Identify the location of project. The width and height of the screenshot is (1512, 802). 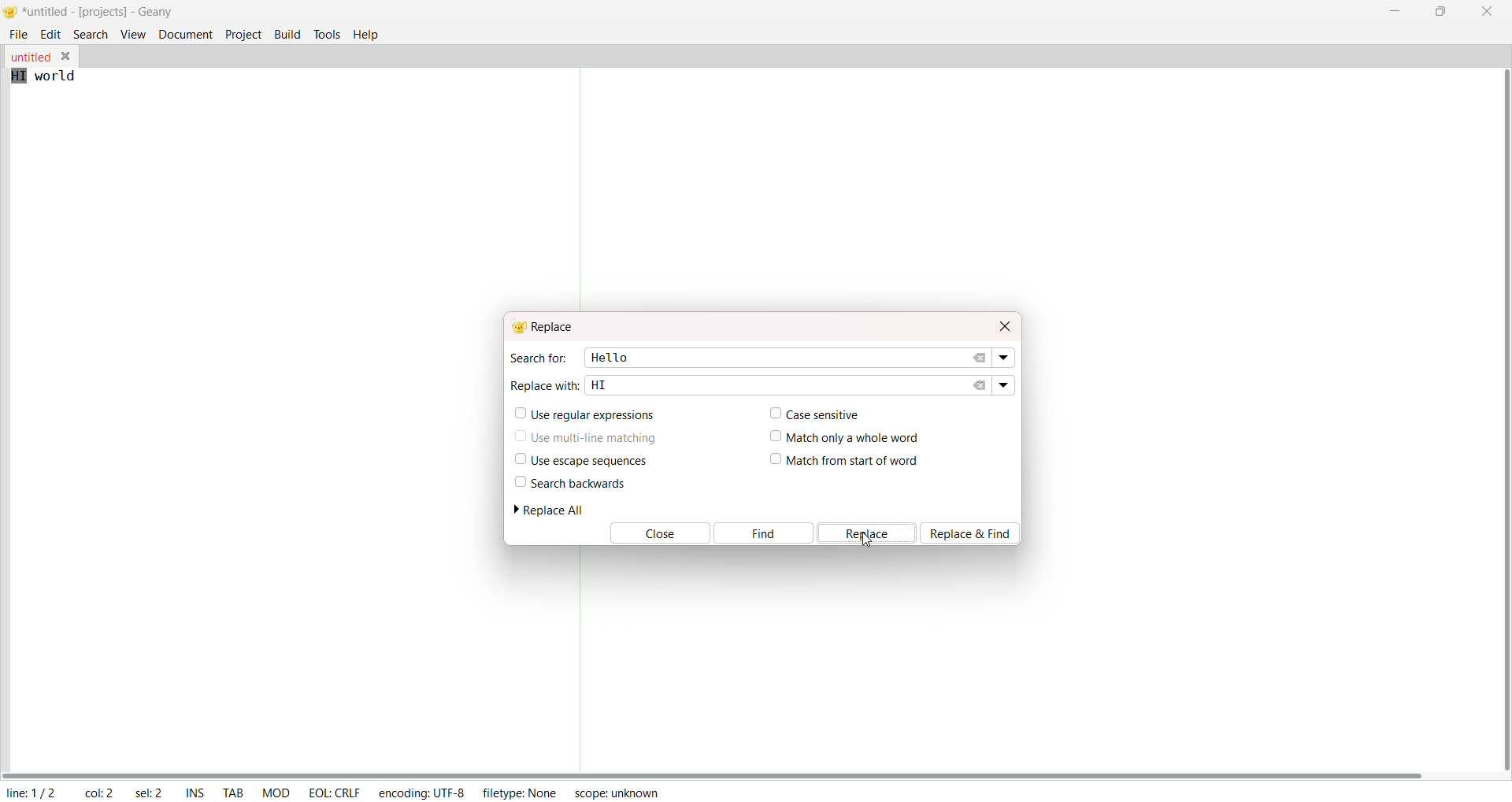
(243, 33).